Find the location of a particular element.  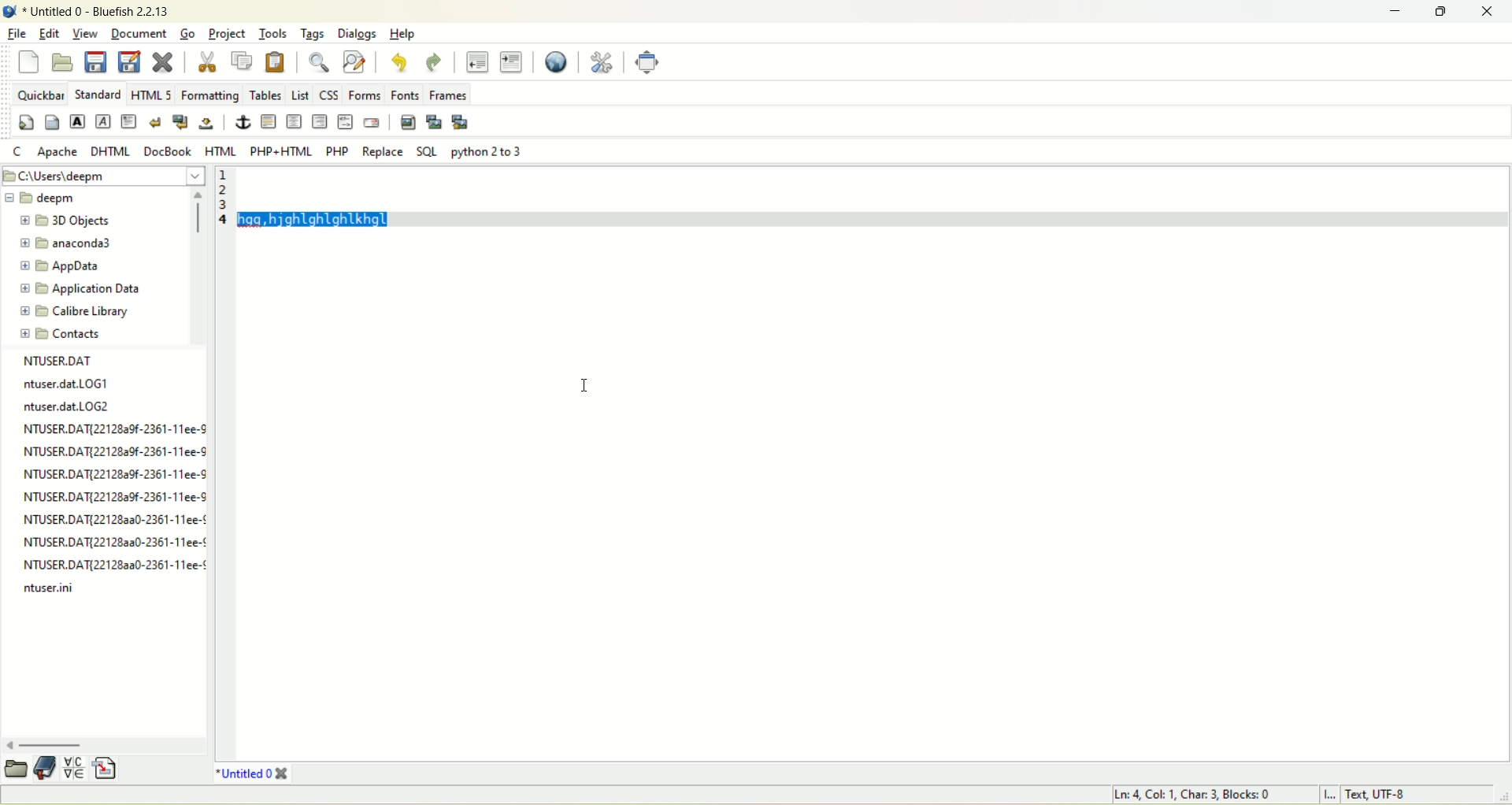

go is located at coordinates (190, 35).